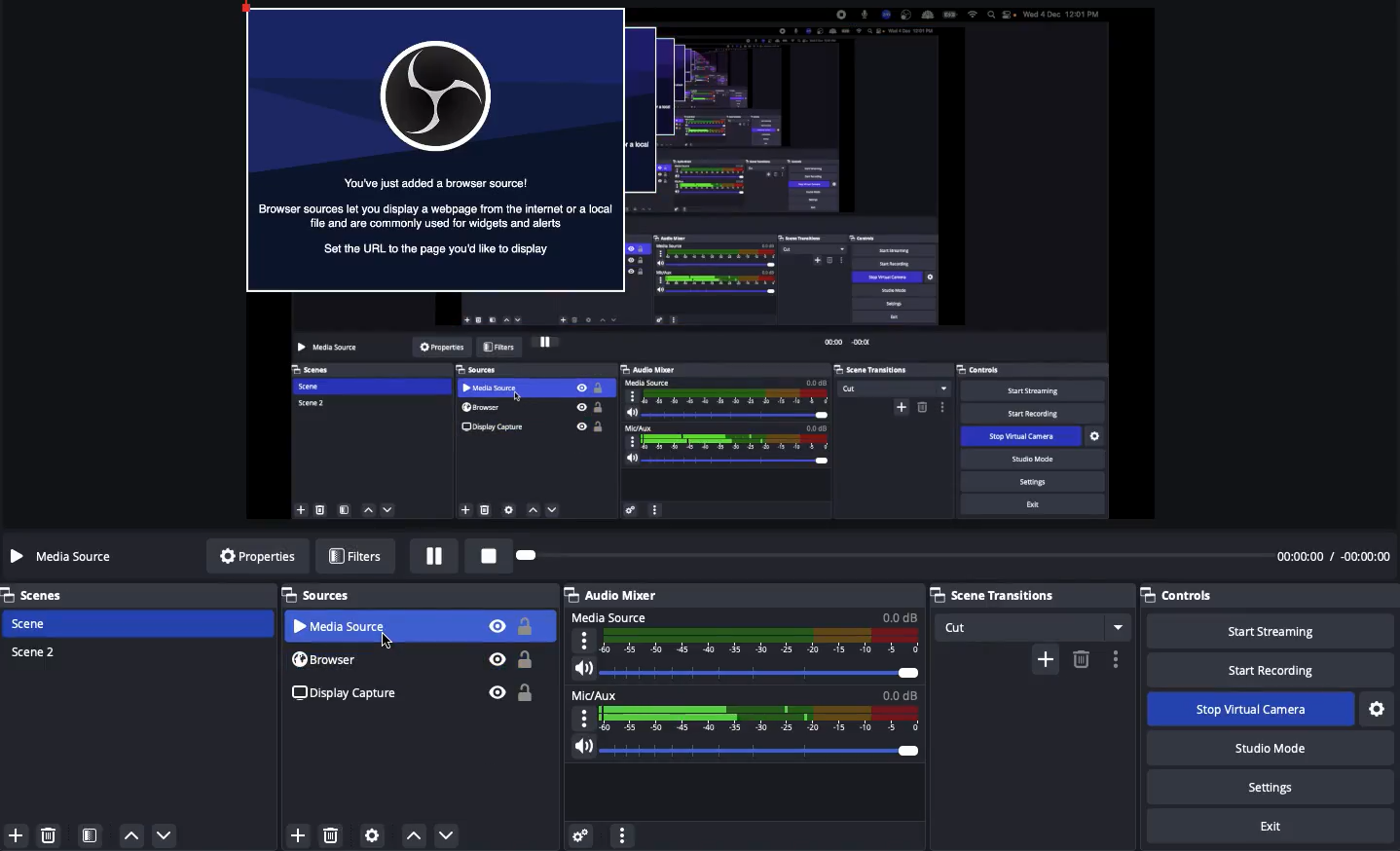 The height and width of the screenshot is (851, 1400). What do you see at coordinates (91, 836) in the screenshot?
I see `Scene filter` at bounding box center [91, 836].